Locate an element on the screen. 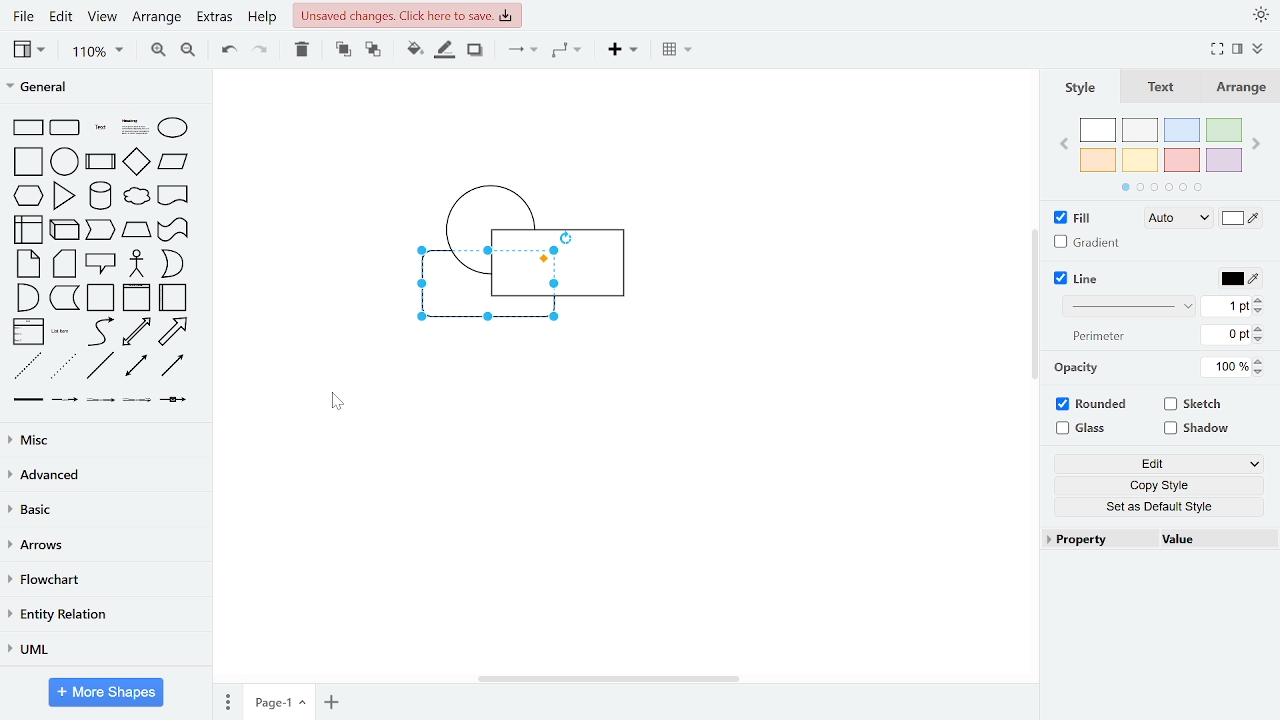 Image resolution: width=1280 pixels, height=720 pixels. text is located at coordinates (1162, 88).